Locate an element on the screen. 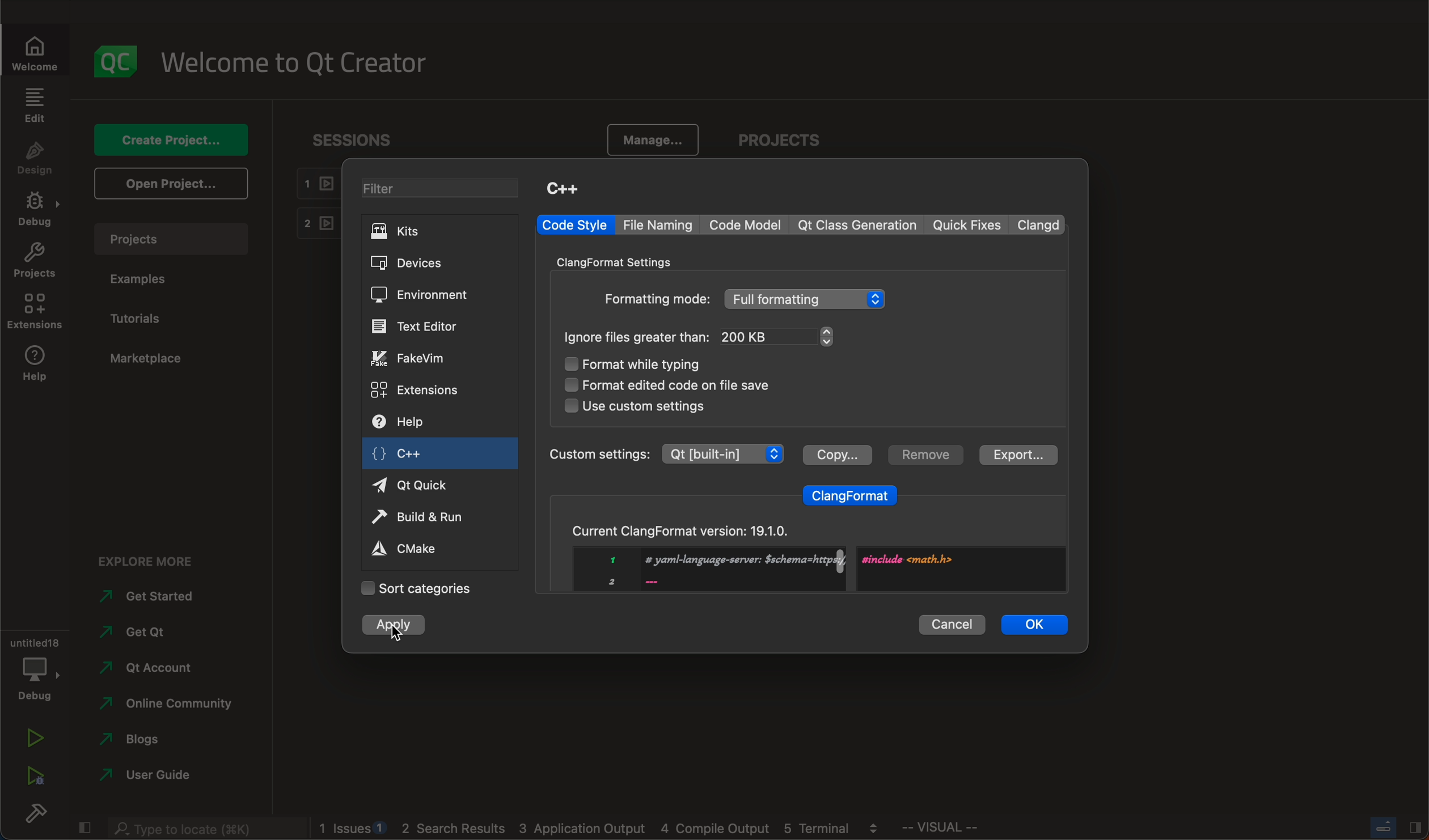 Image resolution: width=1429 pixels, height=840 pixels. filter is located at coordinates (445, 190).